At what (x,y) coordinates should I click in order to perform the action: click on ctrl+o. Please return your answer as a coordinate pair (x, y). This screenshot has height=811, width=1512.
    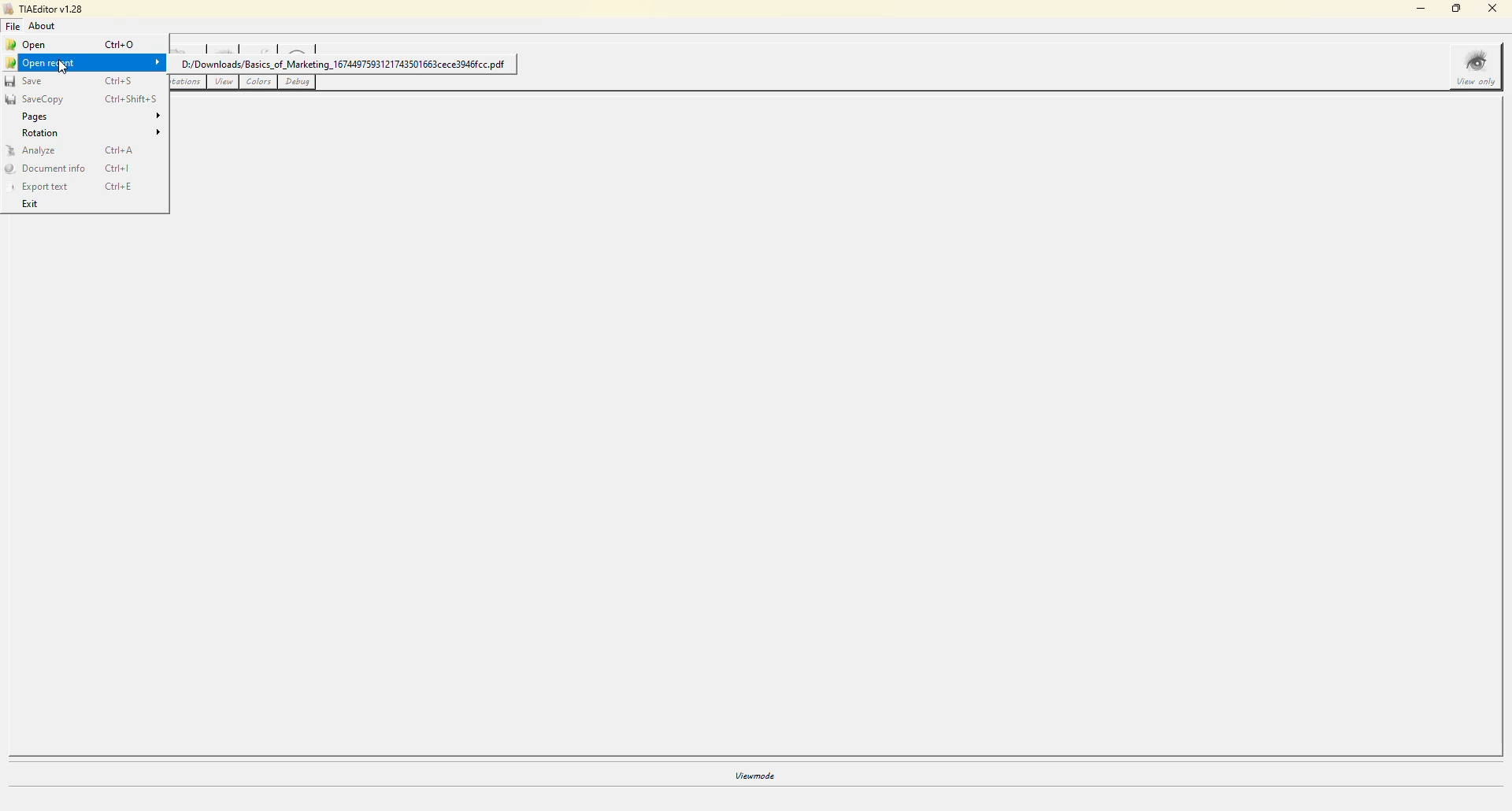
    Looking at the image, I should click on (120, 44).